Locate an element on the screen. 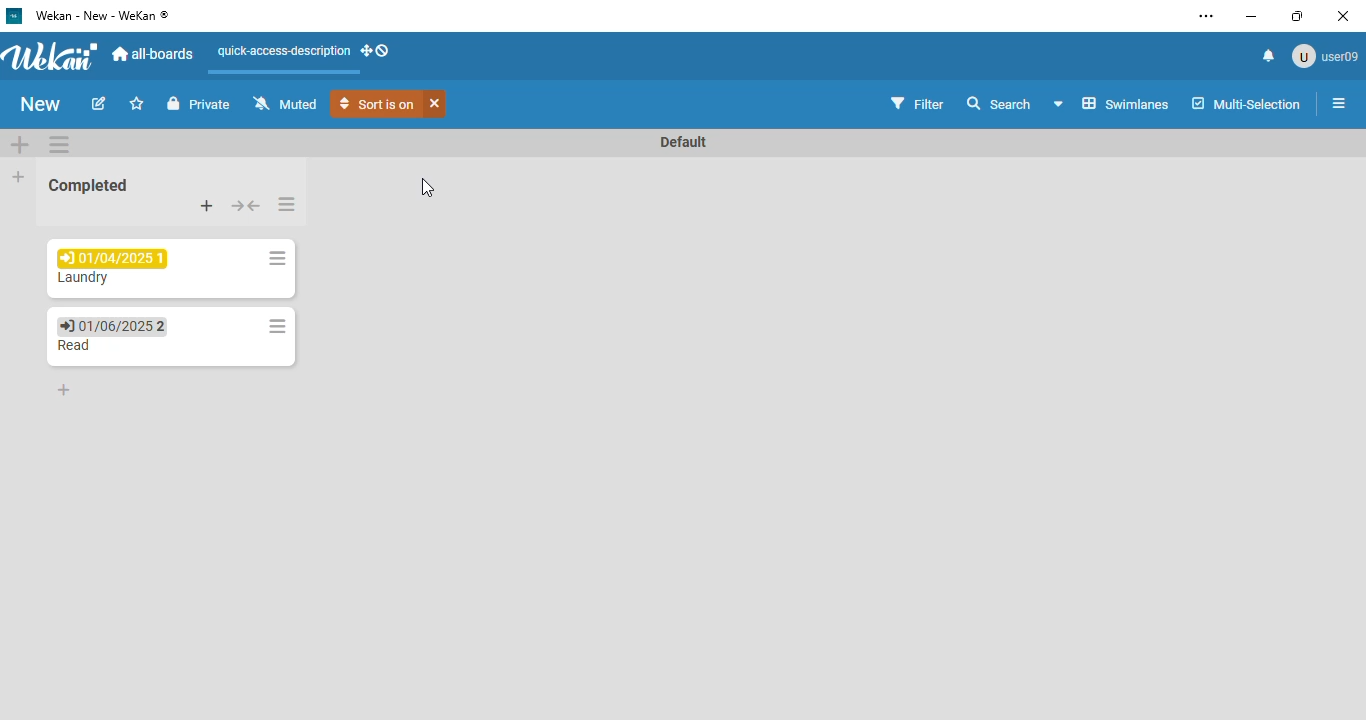 The image size is (1366, 720). filter is located at coordinates (918, 102).